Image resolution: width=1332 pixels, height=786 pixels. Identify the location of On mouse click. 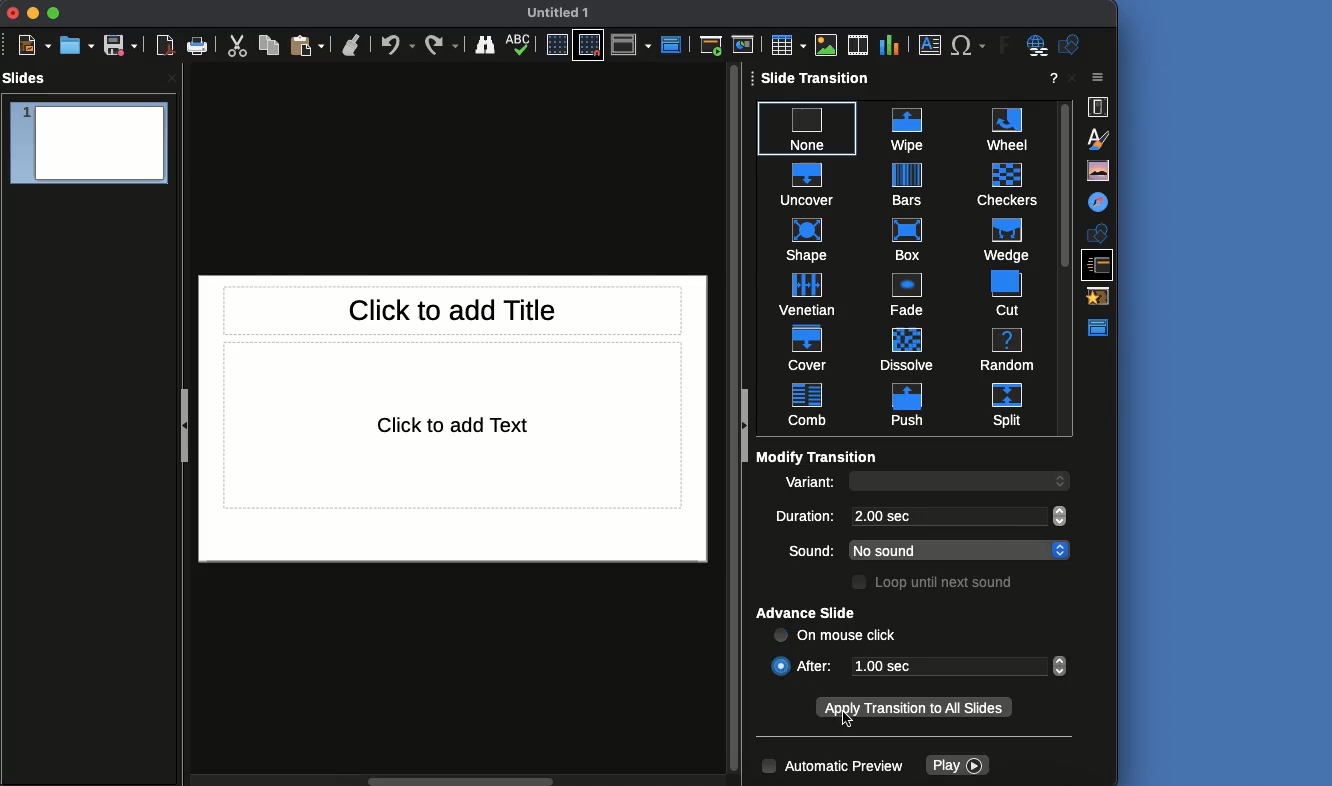
(837, 637).